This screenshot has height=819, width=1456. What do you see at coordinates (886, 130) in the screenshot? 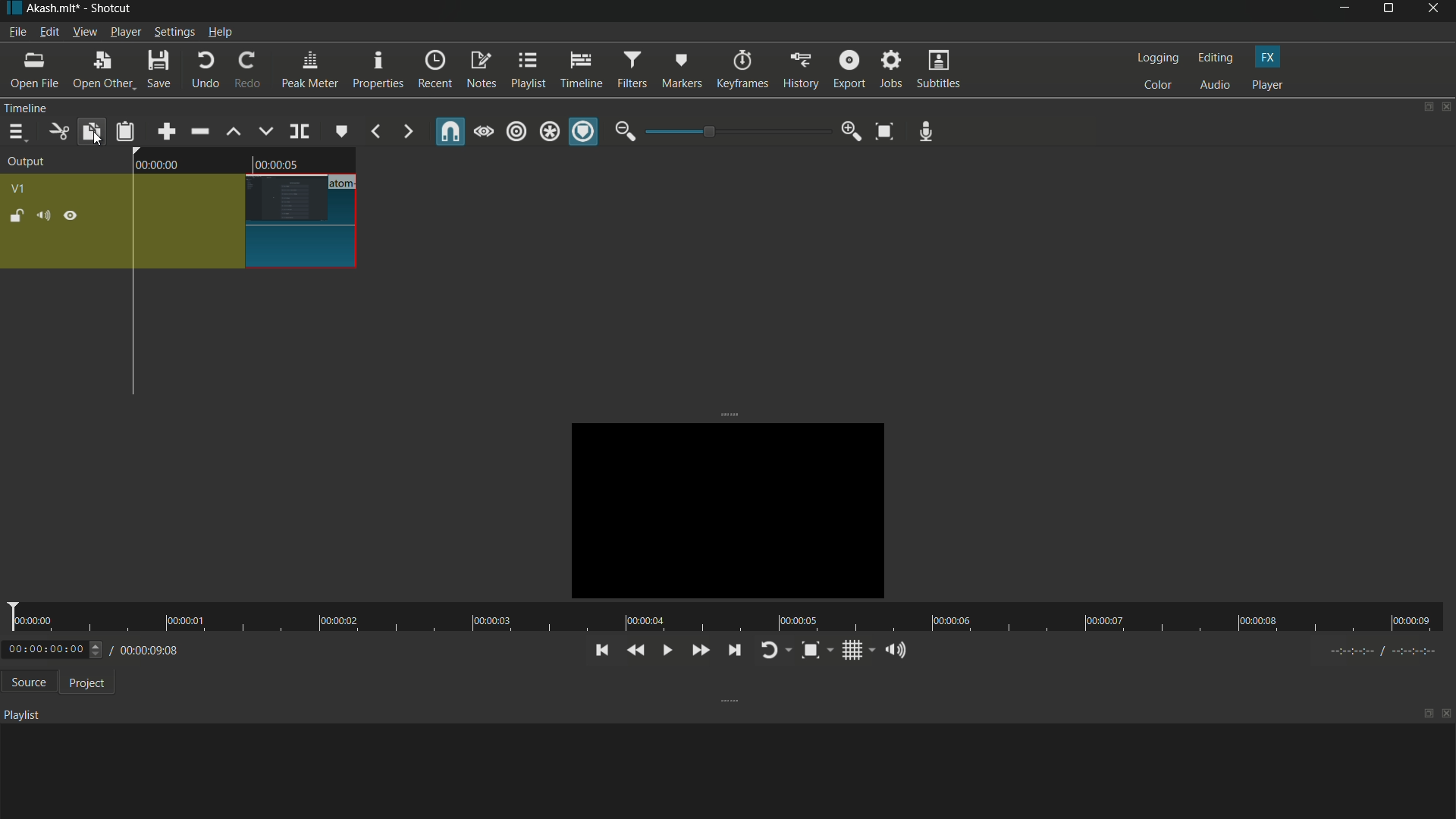
I see `toggle zoom` at bounding box center [886, 130].